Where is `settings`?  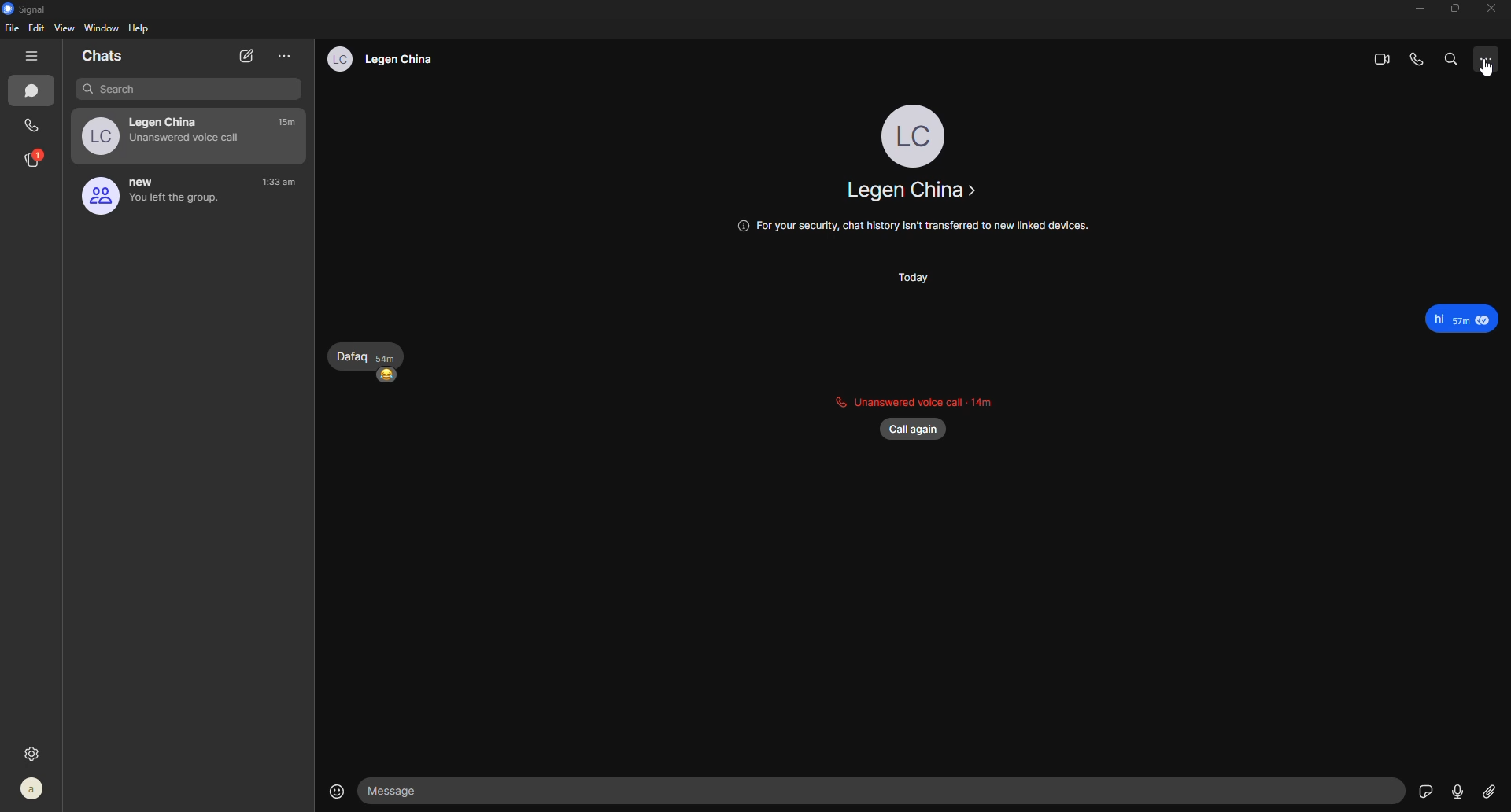 settings is located at coordinates (35, 751).